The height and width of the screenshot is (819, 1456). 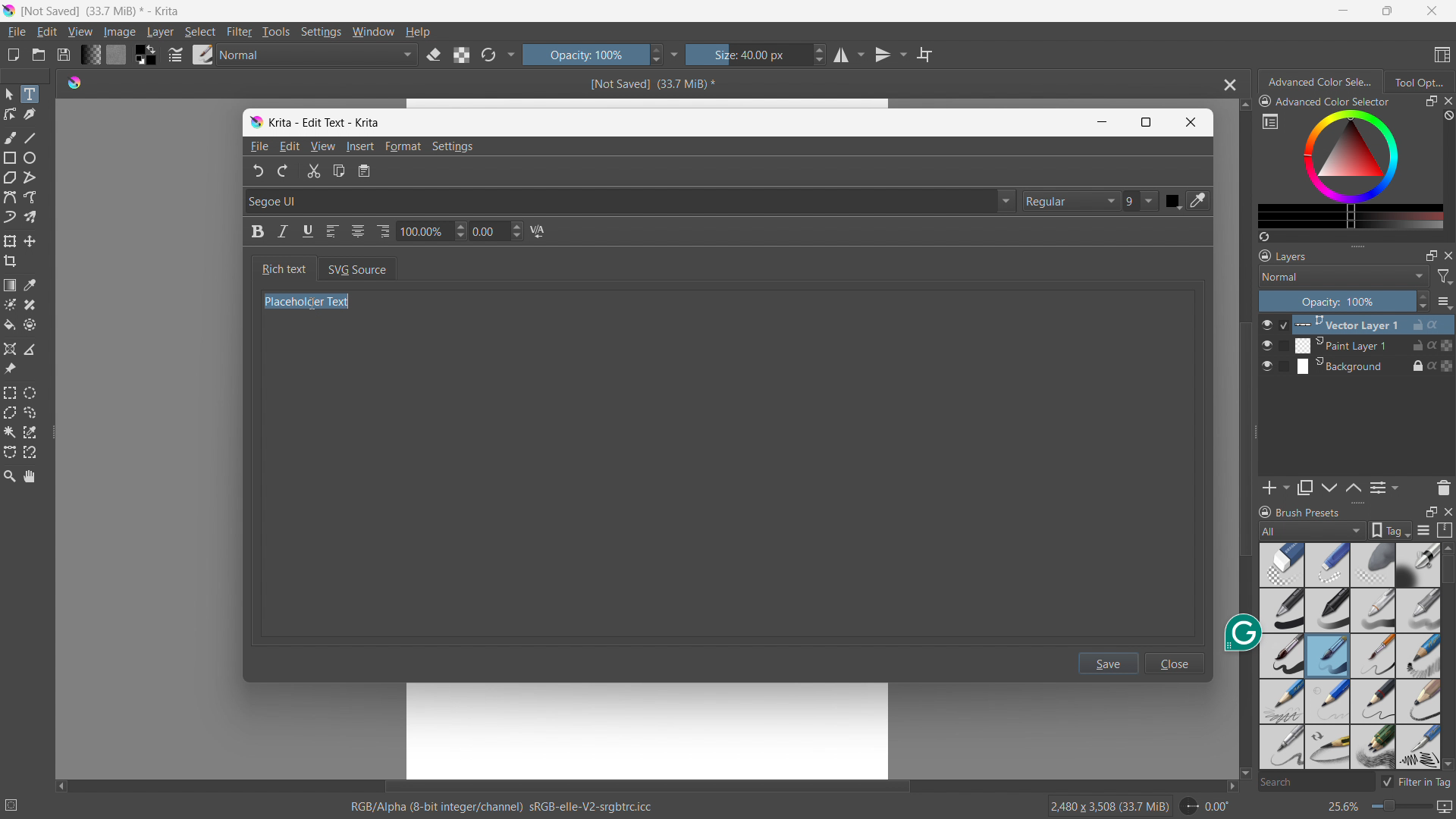 I want to click on scroll up, so click(x=1244, y=105).